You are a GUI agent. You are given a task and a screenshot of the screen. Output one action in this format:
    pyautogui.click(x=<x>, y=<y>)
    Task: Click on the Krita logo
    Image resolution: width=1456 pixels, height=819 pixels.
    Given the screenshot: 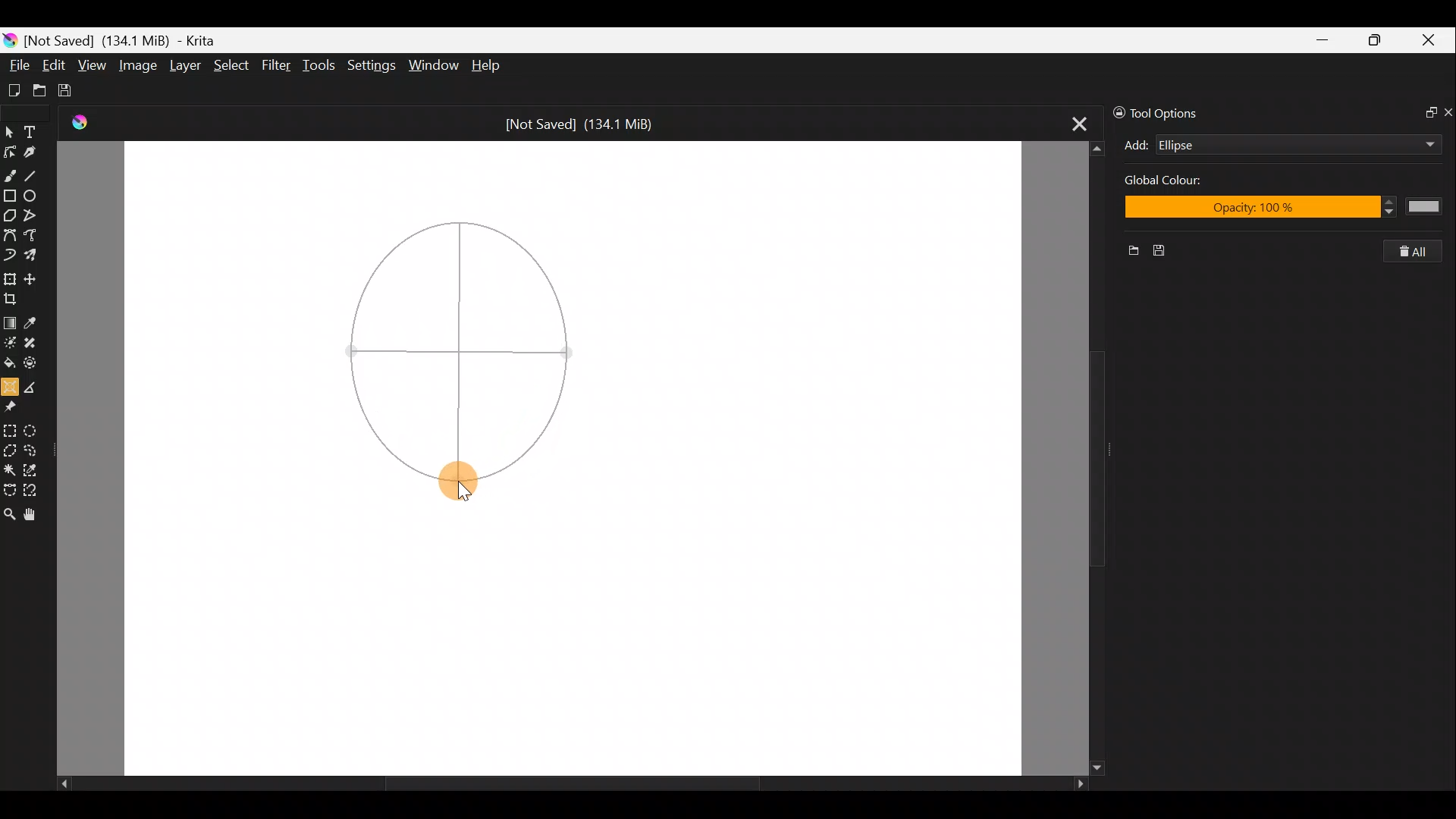 What is the action you would take?
    pyautogui.click(x=9, y=39)
    